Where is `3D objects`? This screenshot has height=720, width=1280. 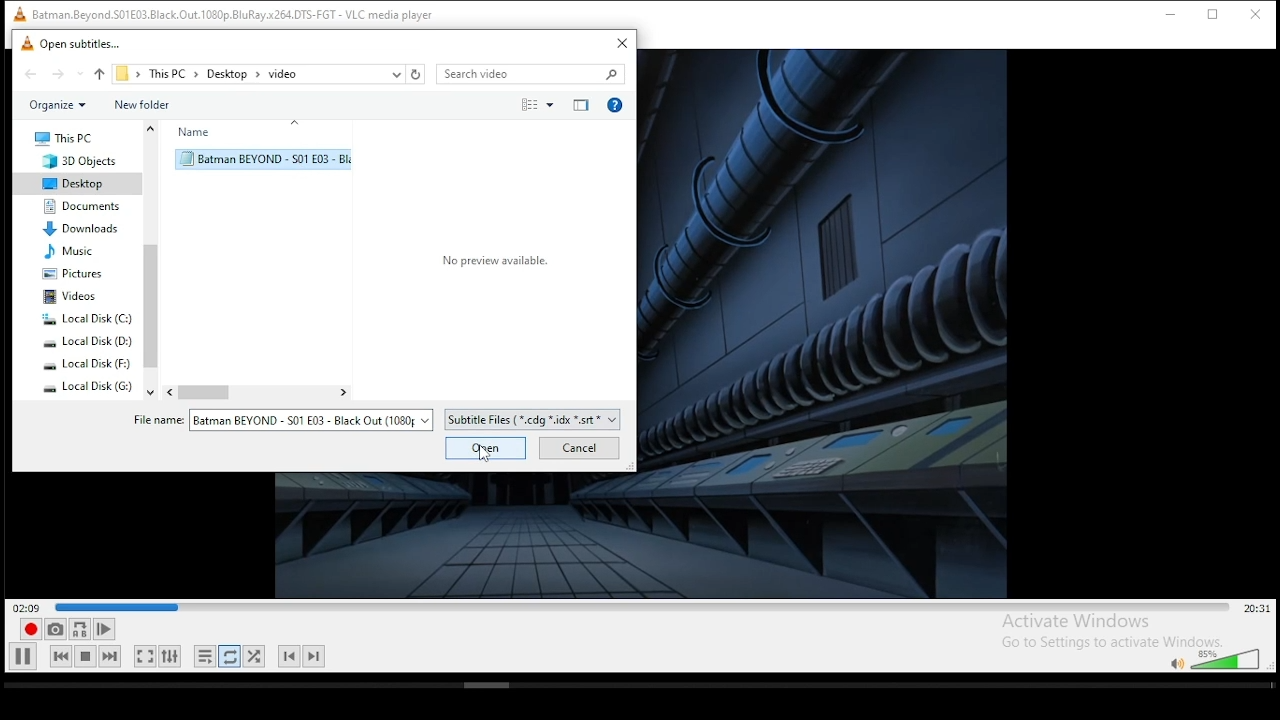
3D objects is located at coordinates (80, 162).